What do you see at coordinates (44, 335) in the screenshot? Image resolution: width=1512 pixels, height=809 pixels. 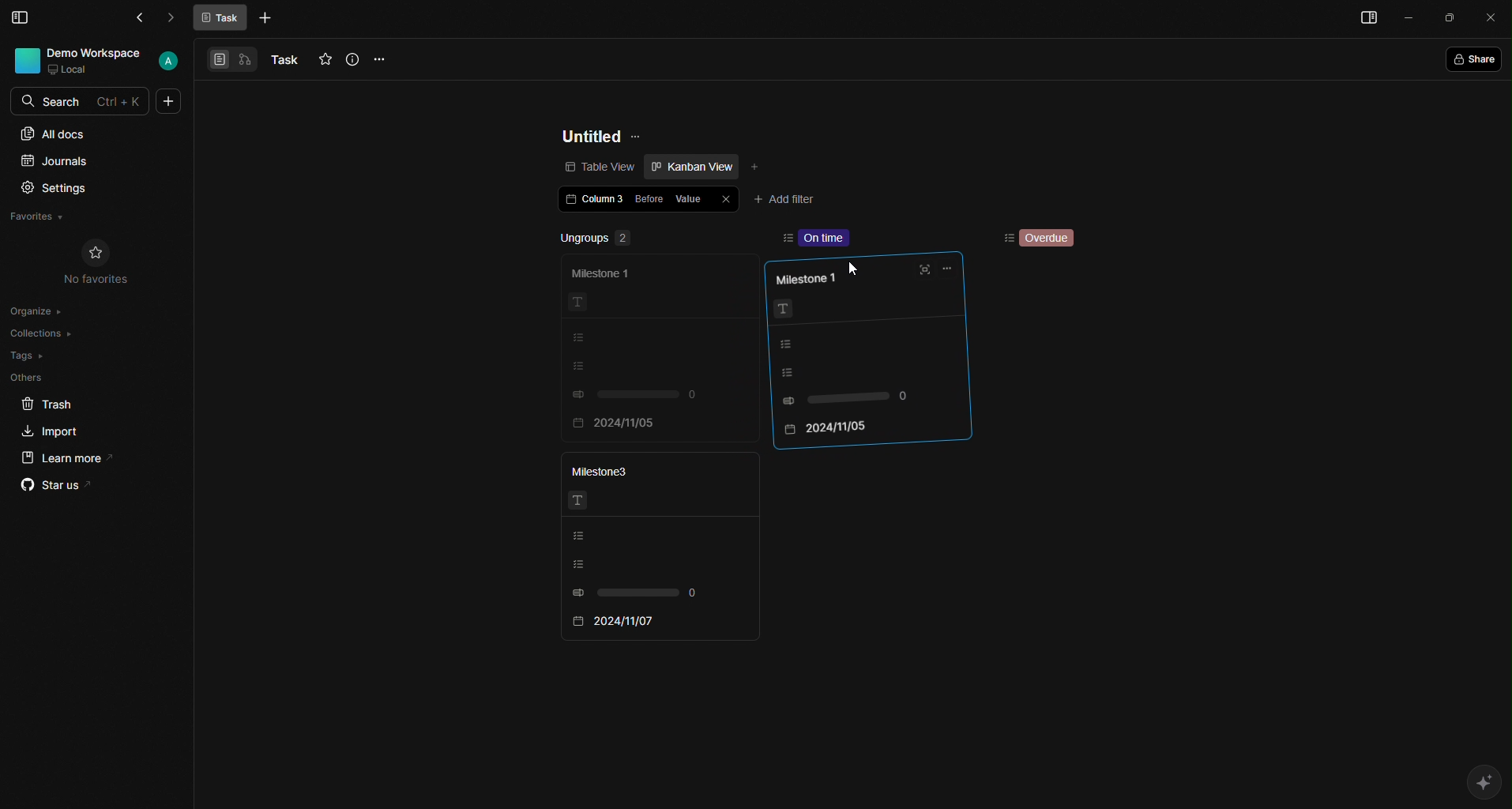 I see `Collections` at bounding box center [44, 335].